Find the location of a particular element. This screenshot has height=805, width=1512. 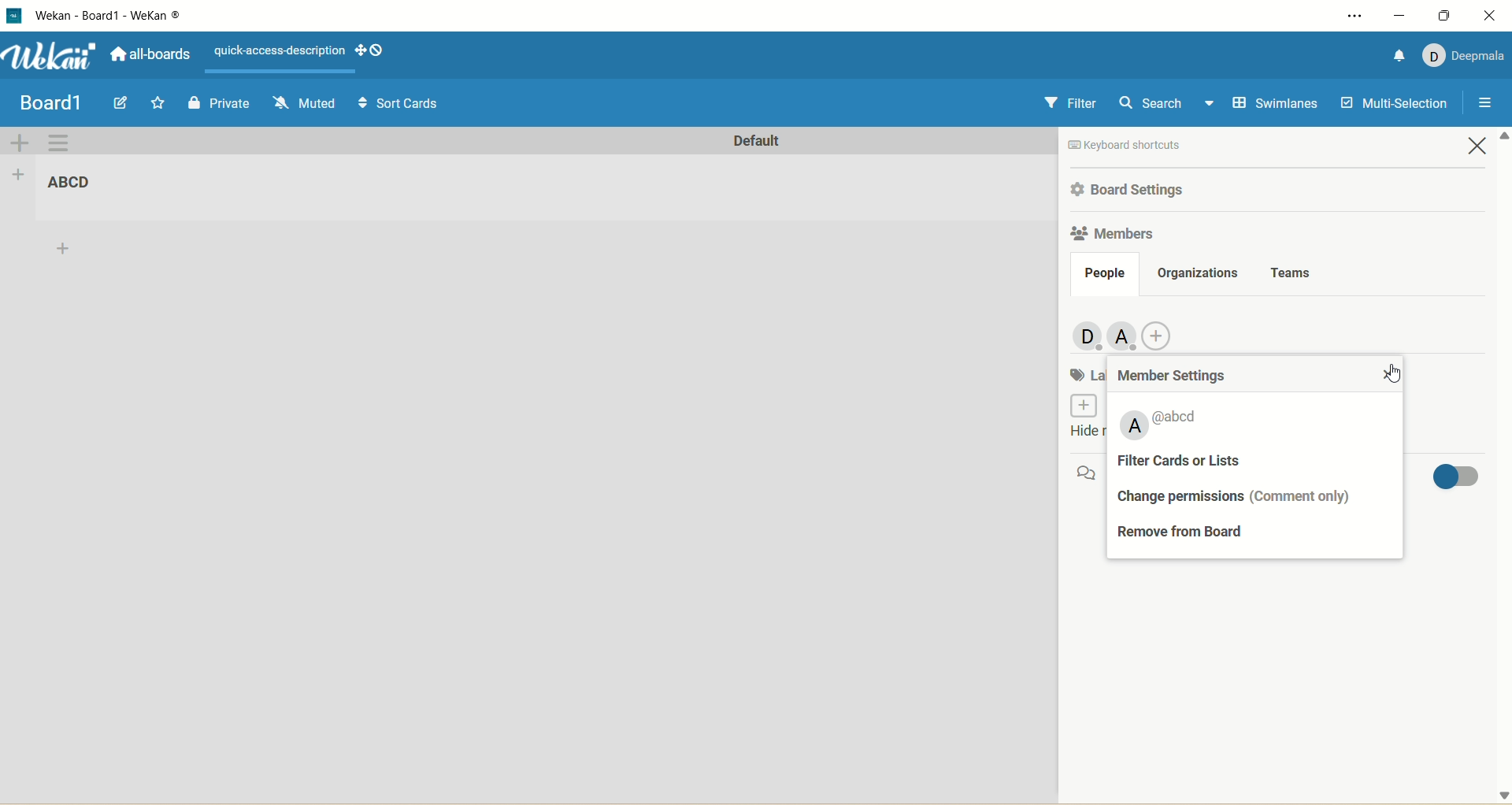

close is located at coordinates (1490, 18).